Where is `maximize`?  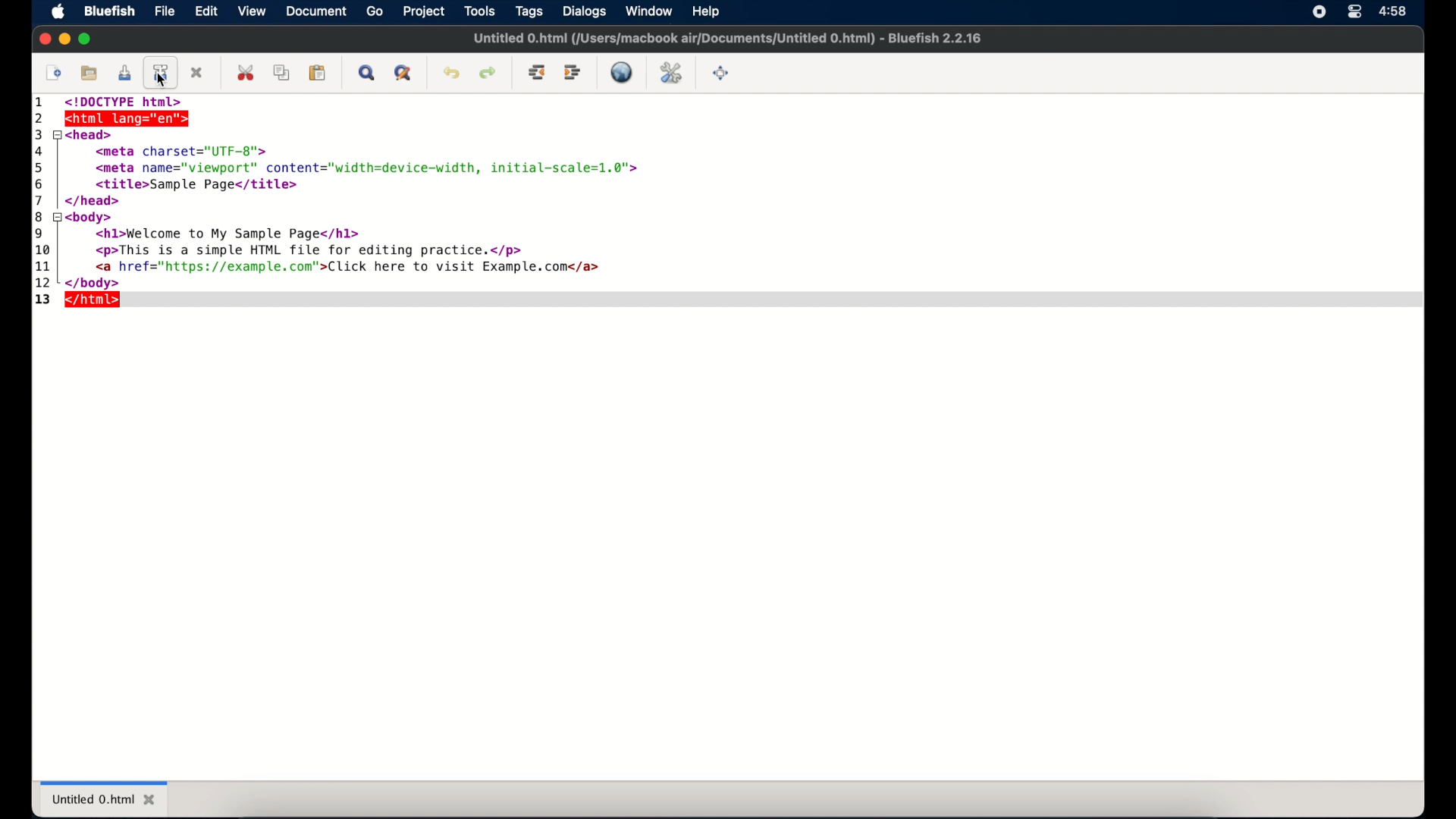 maximize is located at coordinates (87, 39).